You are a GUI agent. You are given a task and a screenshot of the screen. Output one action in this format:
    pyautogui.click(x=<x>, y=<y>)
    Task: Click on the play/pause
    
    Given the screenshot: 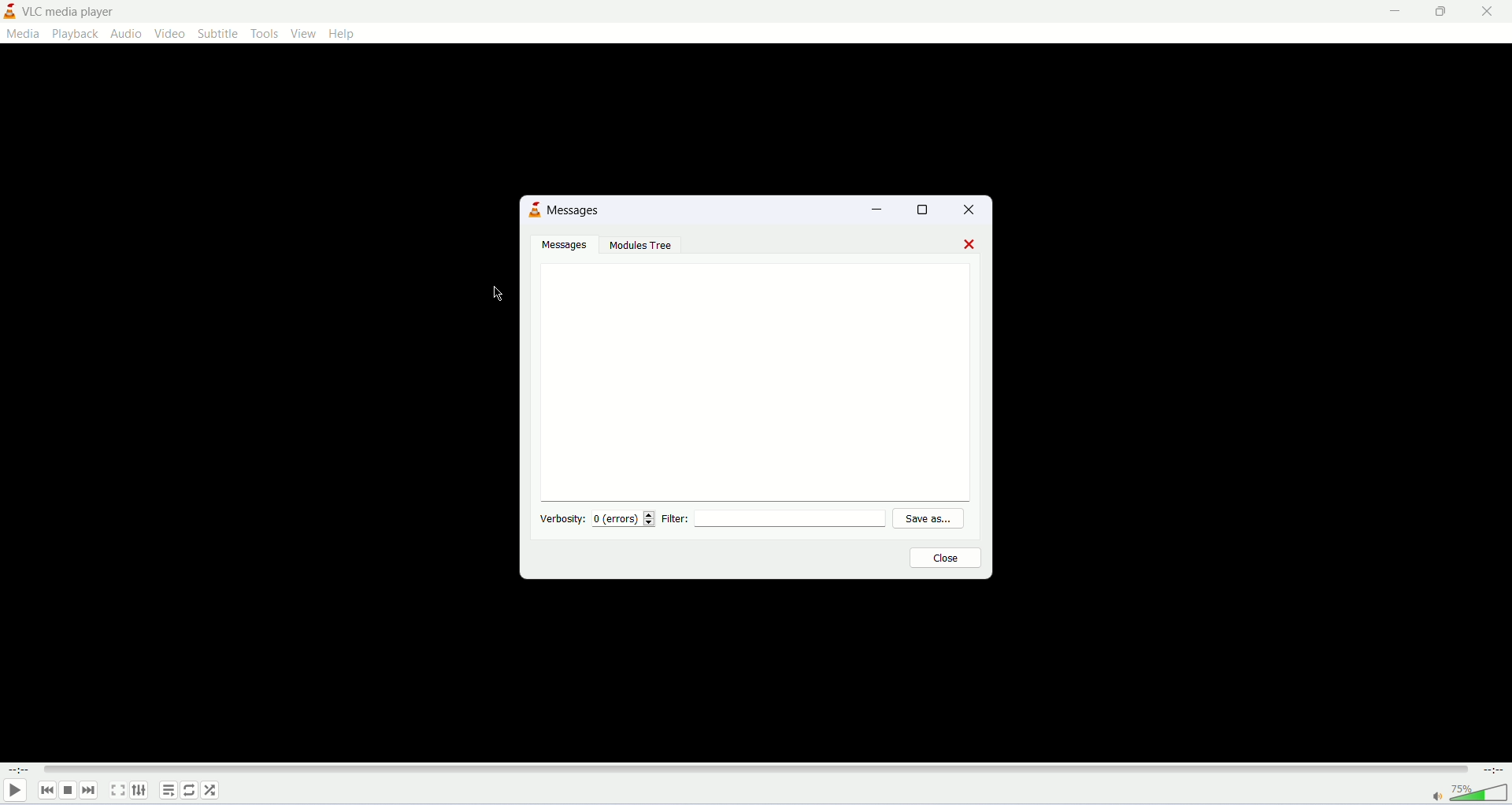 What is the action you would take?
    pyautogui.click(x=15, y=792)
    